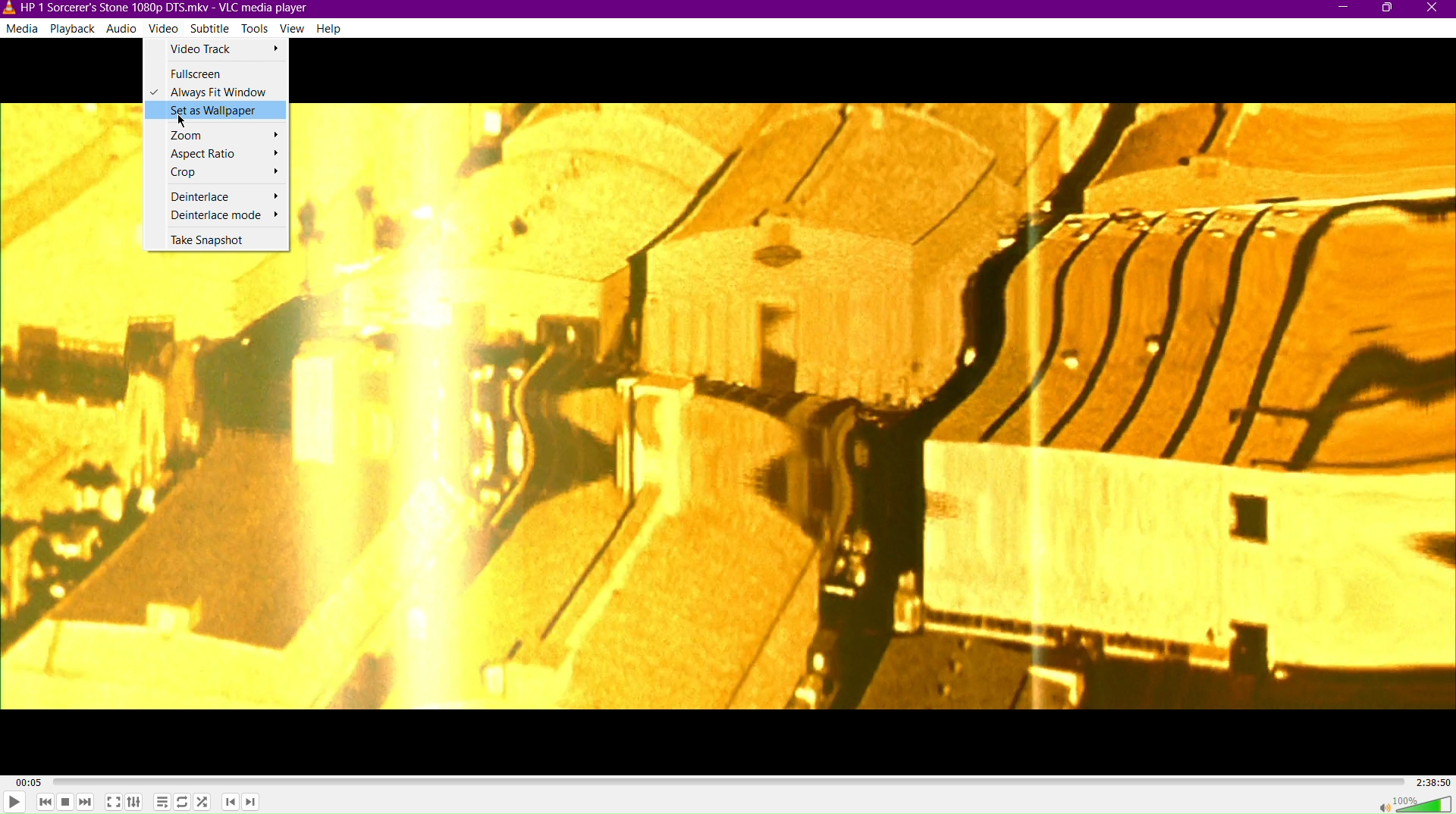 This screenshot has height=814, width=1456. What do you see at coordinates (218, 134) in the screenshot?
I see `Zoom` at bounding box center [218, 134].